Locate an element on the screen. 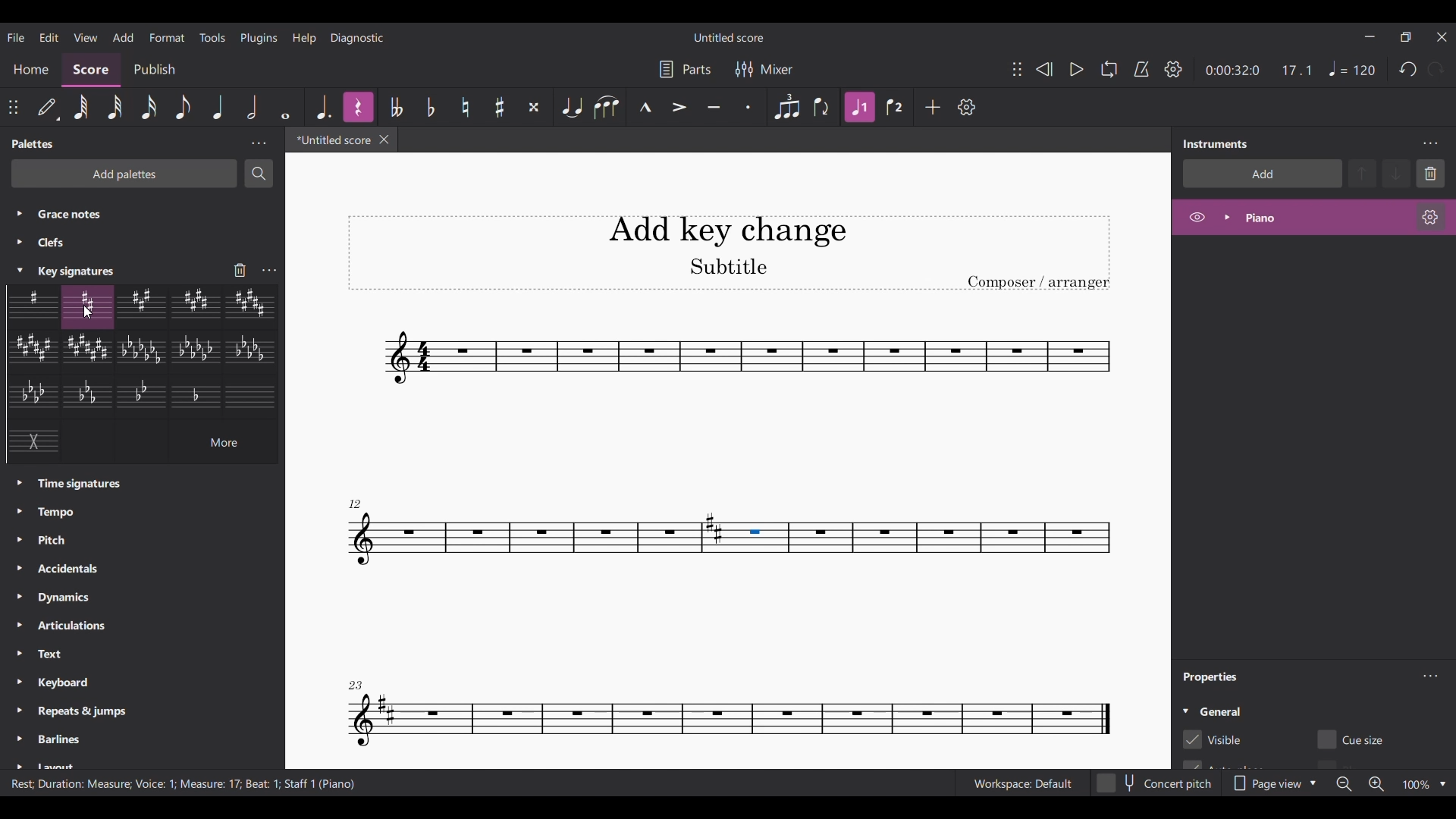  Tools menu is located at coordinates (212, 37).